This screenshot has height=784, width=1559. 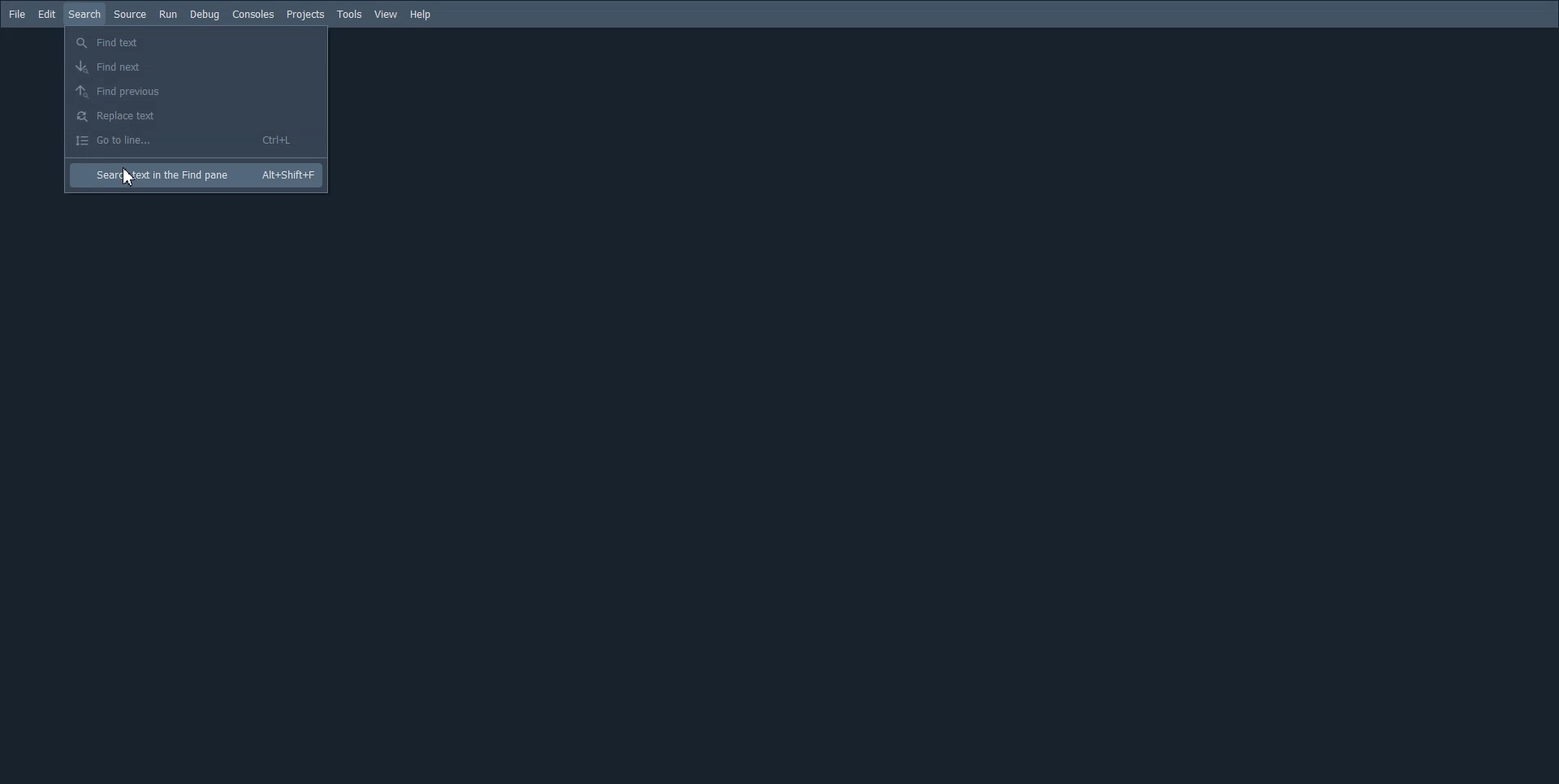 I want to click on Debug, so click(x=205, y=14).